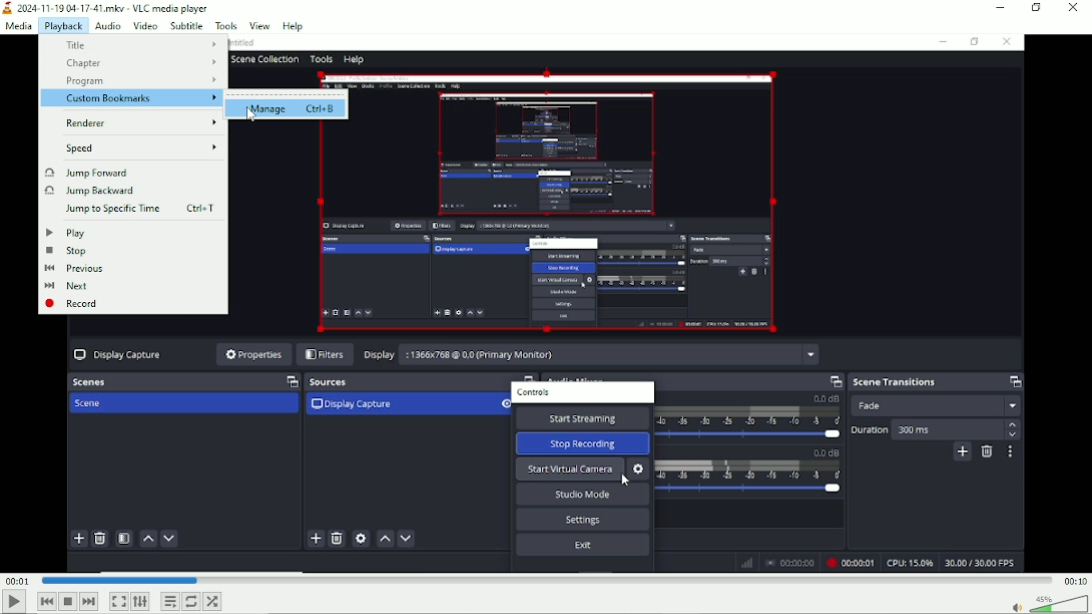  I want to click on renderer, so click(139, 123).